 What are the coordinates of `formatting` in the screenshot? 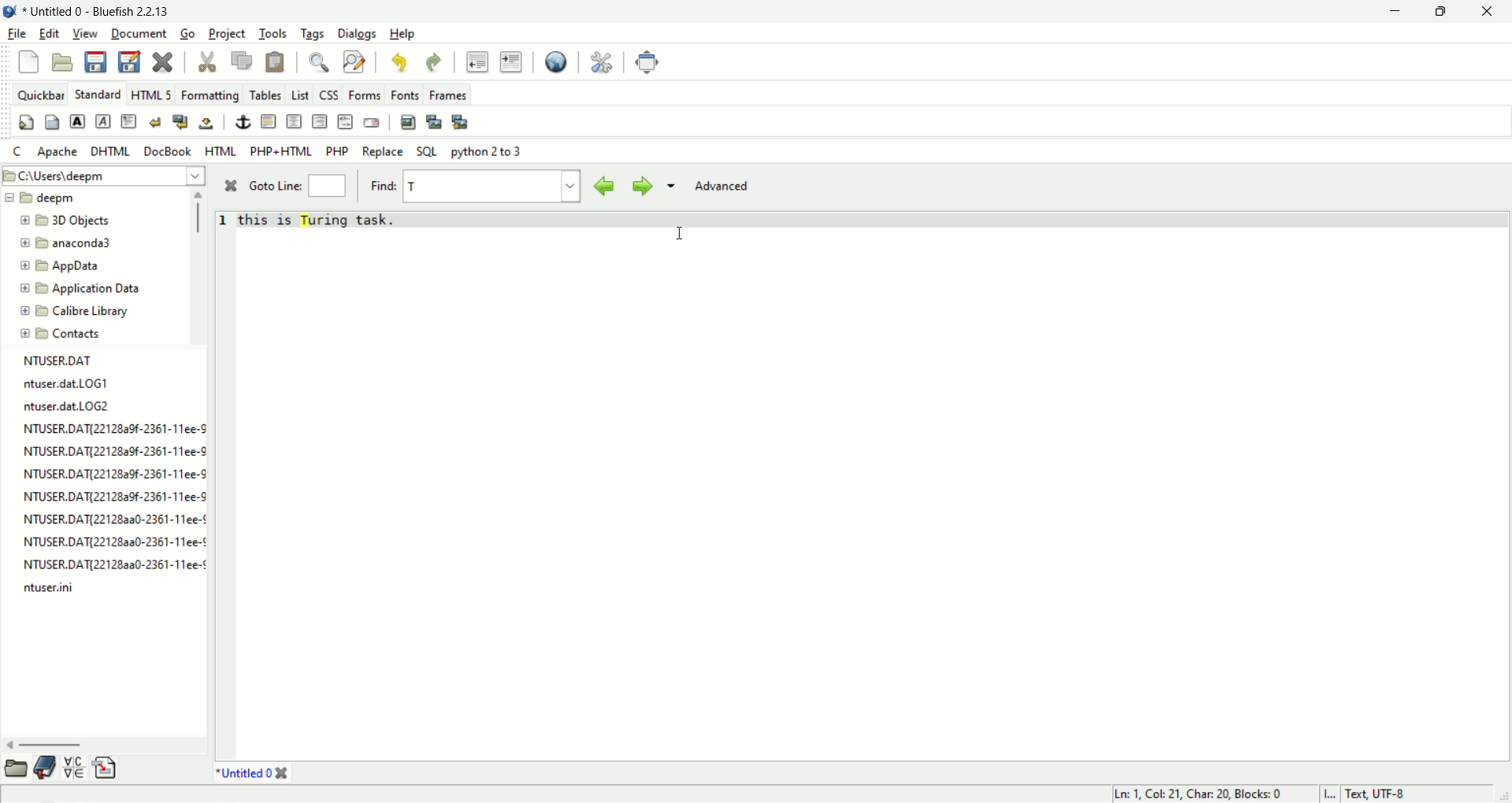 It's located at (212, 97).